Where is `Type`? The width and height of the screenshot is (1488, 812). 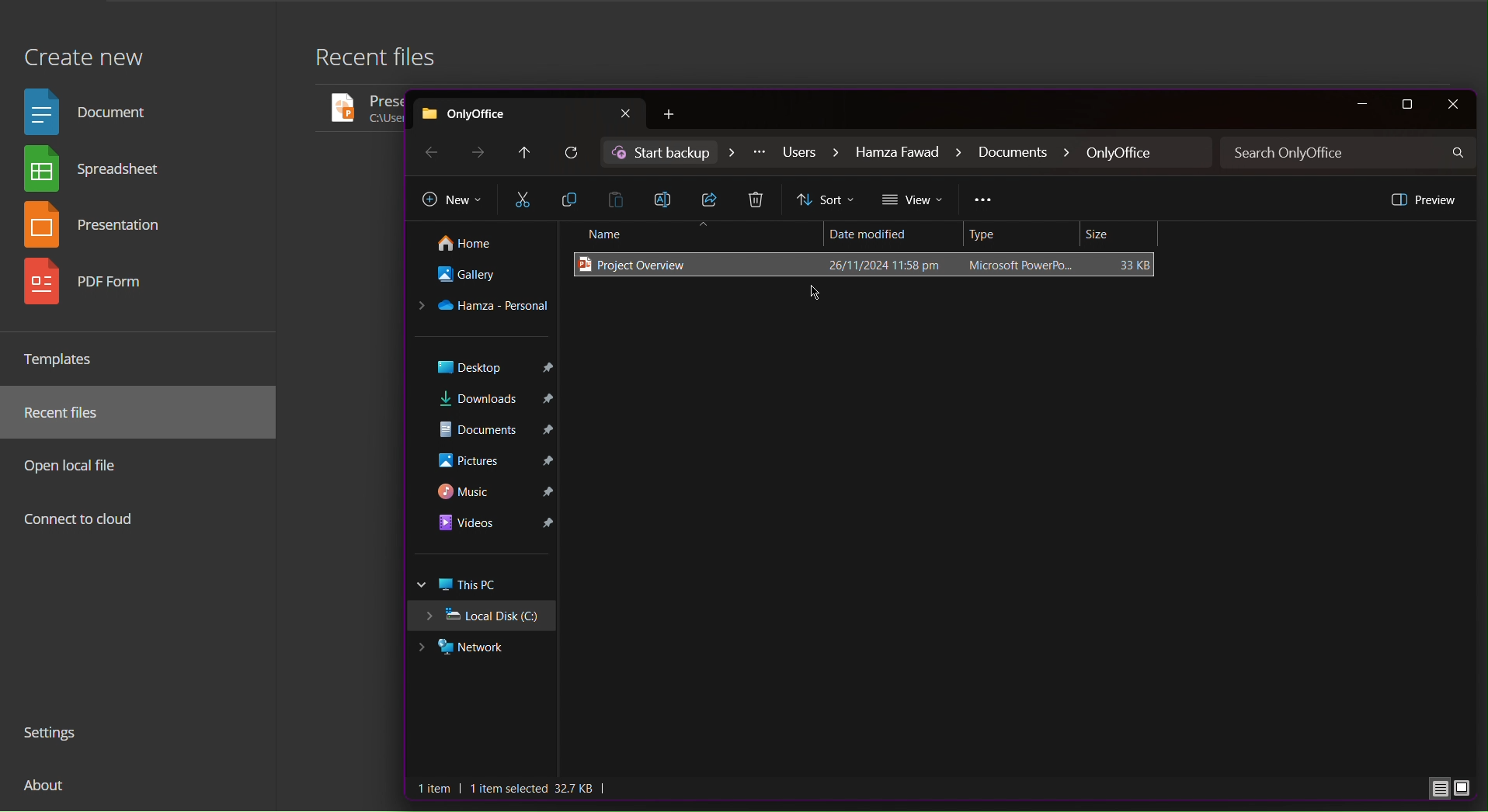
Type is located at coordinates (1024, 234).